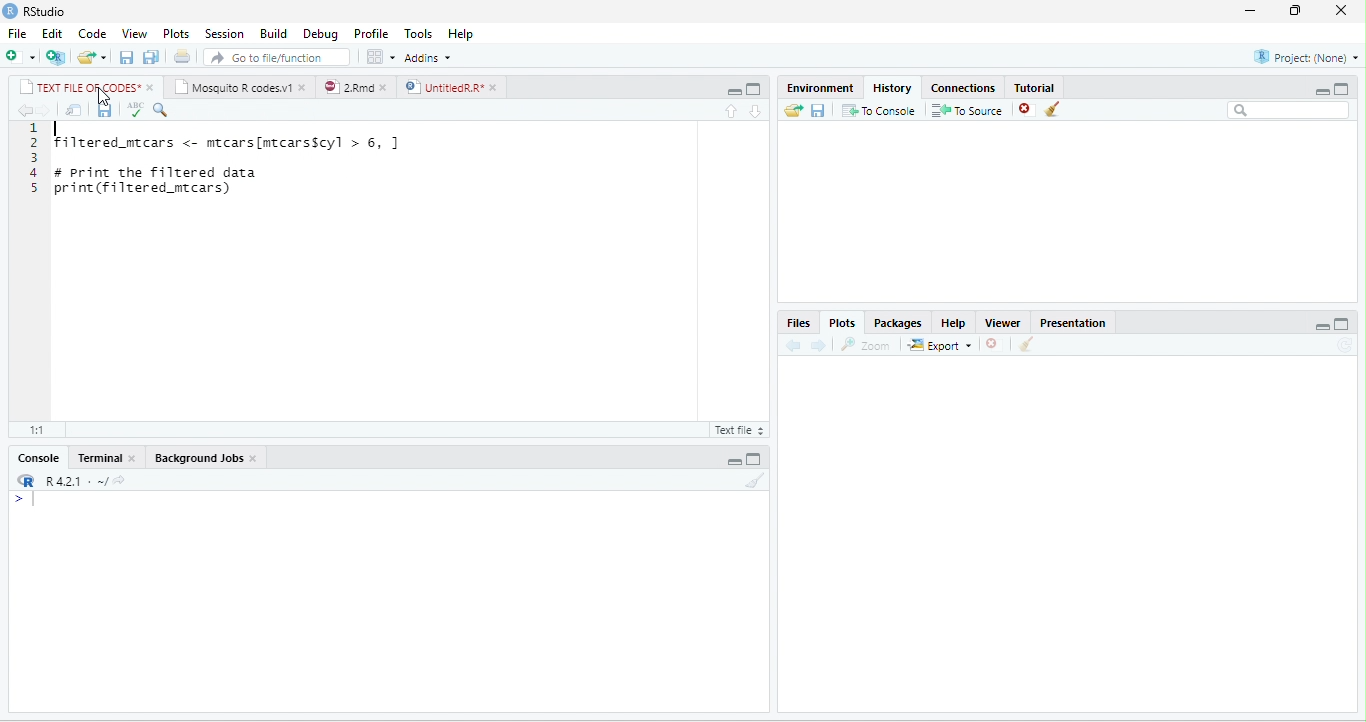  Describe the element at coordinates (418, 34) in the screenshot. I see `Tools` at that location.